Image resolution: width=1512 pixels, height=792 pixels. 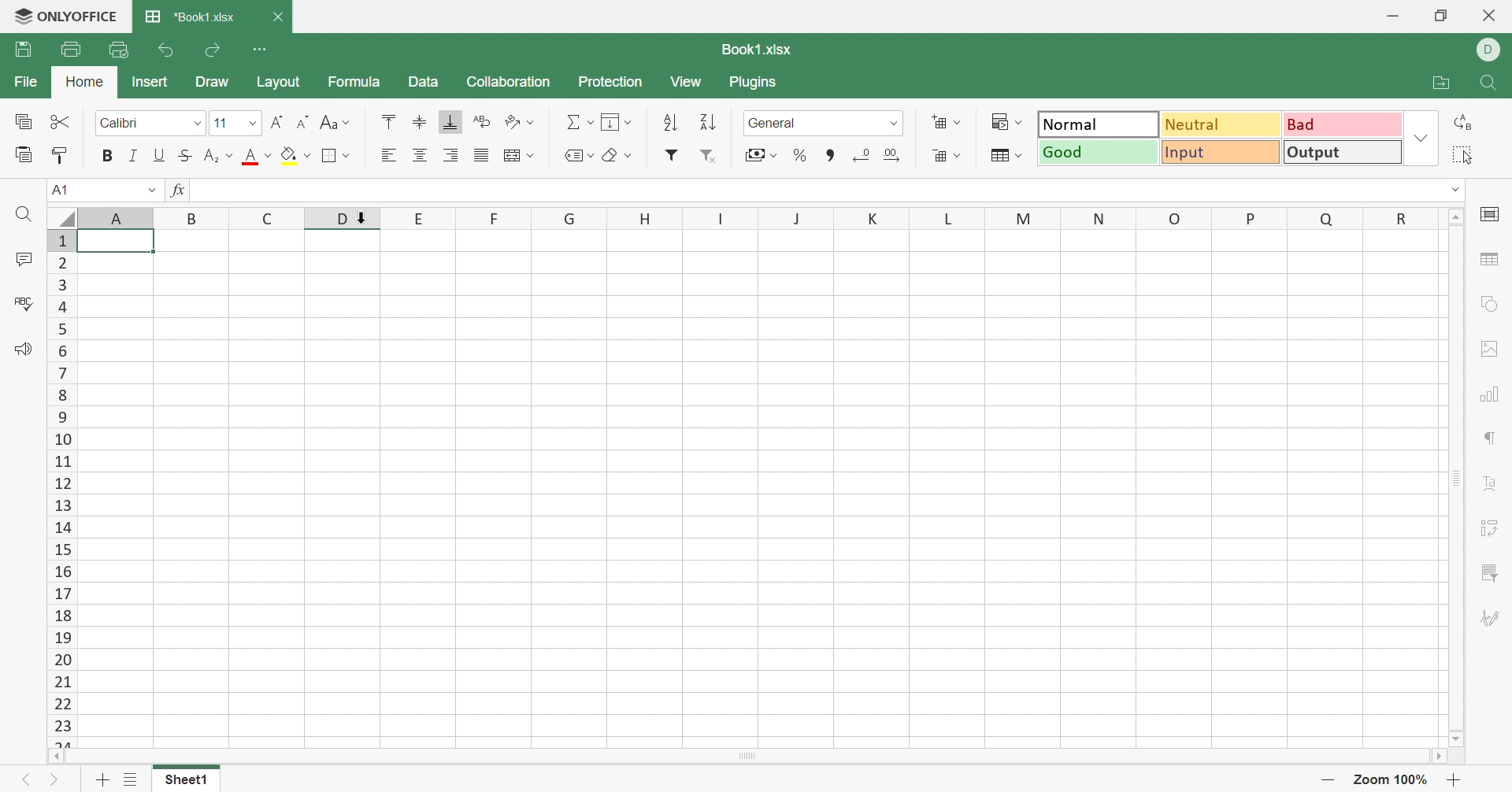 What do you see at coordinates (420, 121) in the screenshot?
I see `Align Middle` at bounding box center [420, 121].